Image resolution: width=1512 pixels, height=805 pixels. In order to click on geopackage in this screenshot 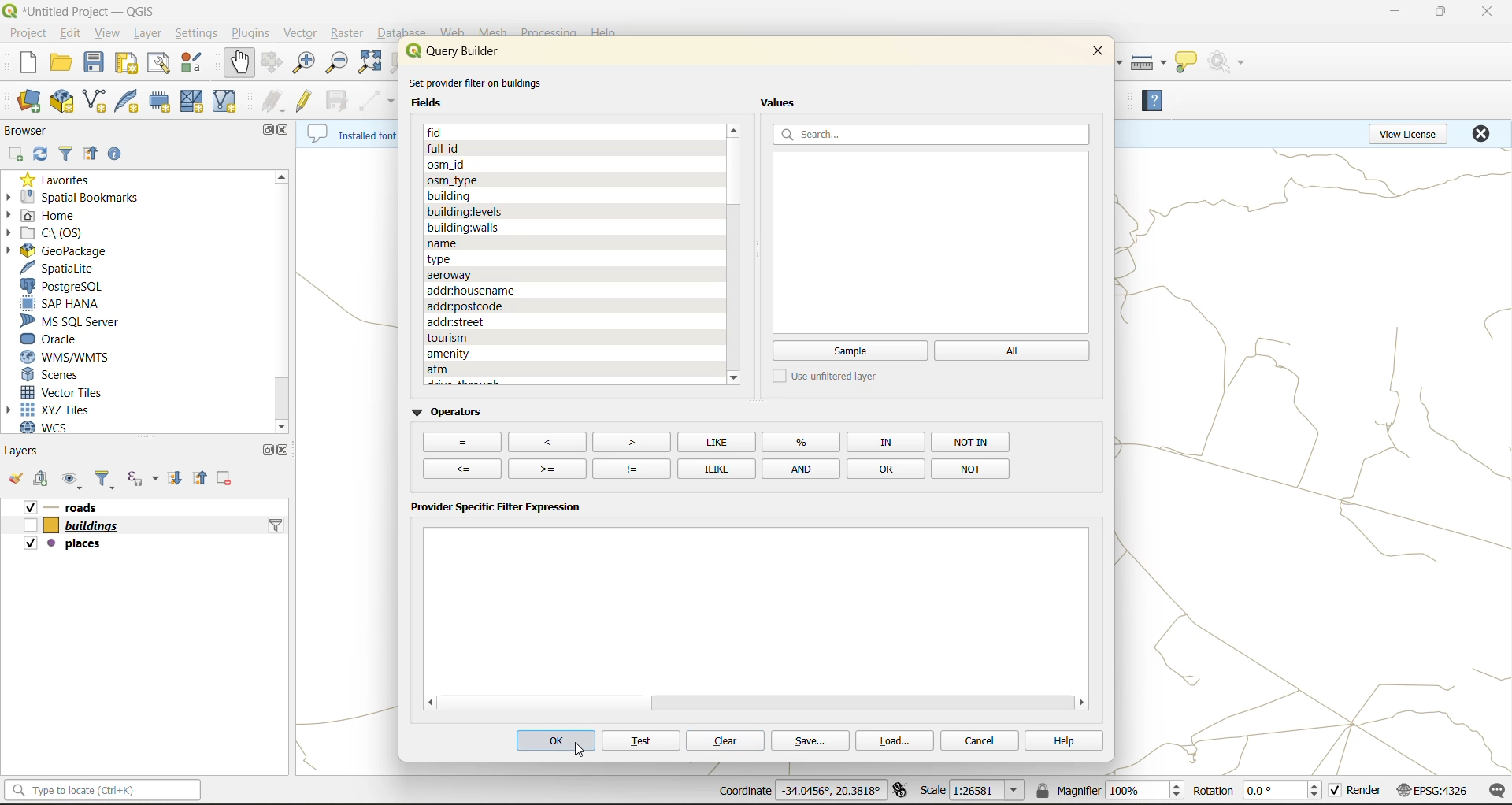, I will do `click(74, 251)`.